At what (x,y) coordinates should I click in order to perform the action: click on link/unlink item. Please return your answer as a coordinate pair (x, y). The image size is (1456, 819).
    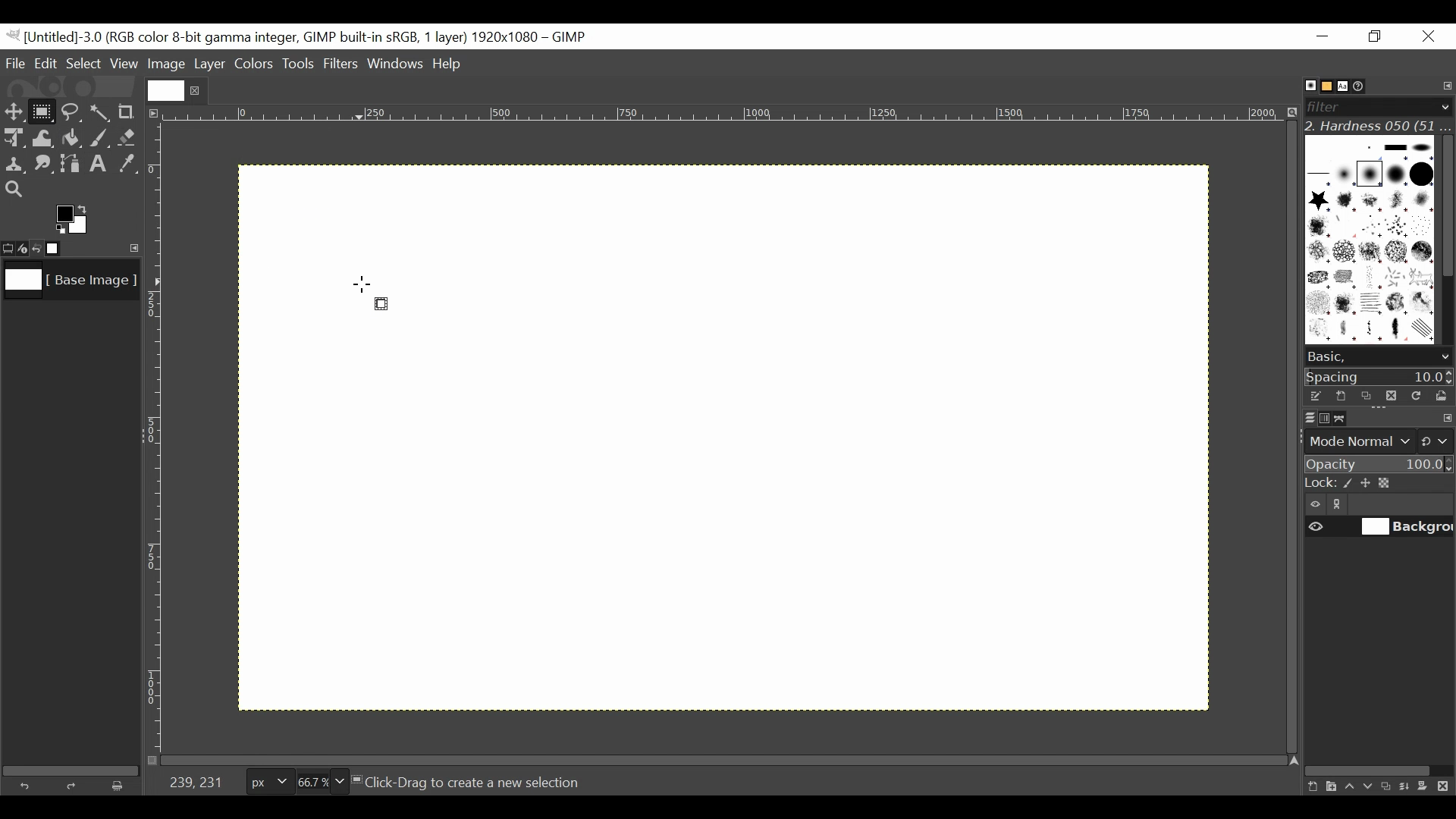
    Looking at the image, I should click on (1341, 507).